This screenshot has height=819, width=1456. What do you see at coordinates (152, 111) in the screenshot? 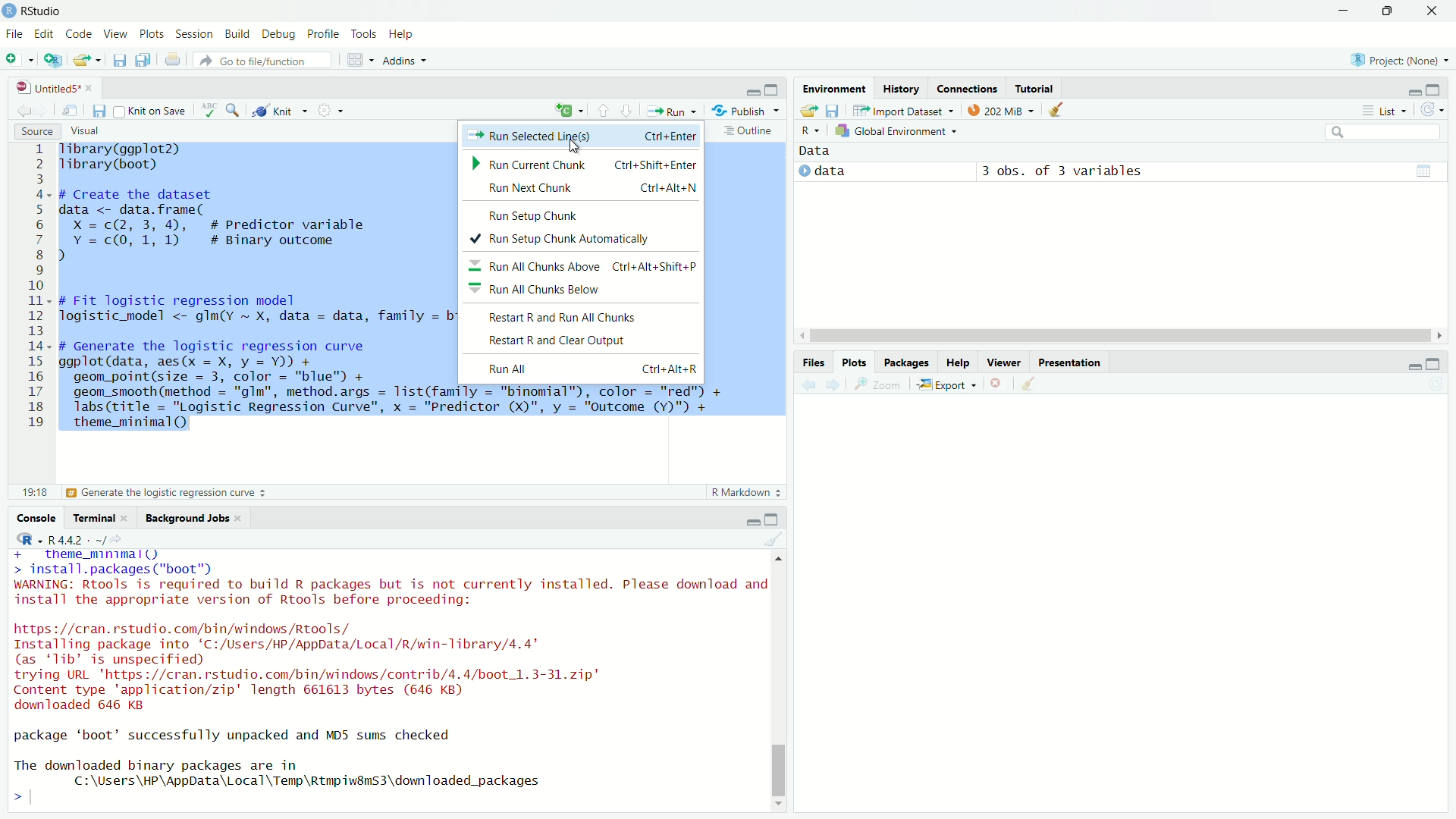
I see `Knit on Save` at bounding box center [152, 111].